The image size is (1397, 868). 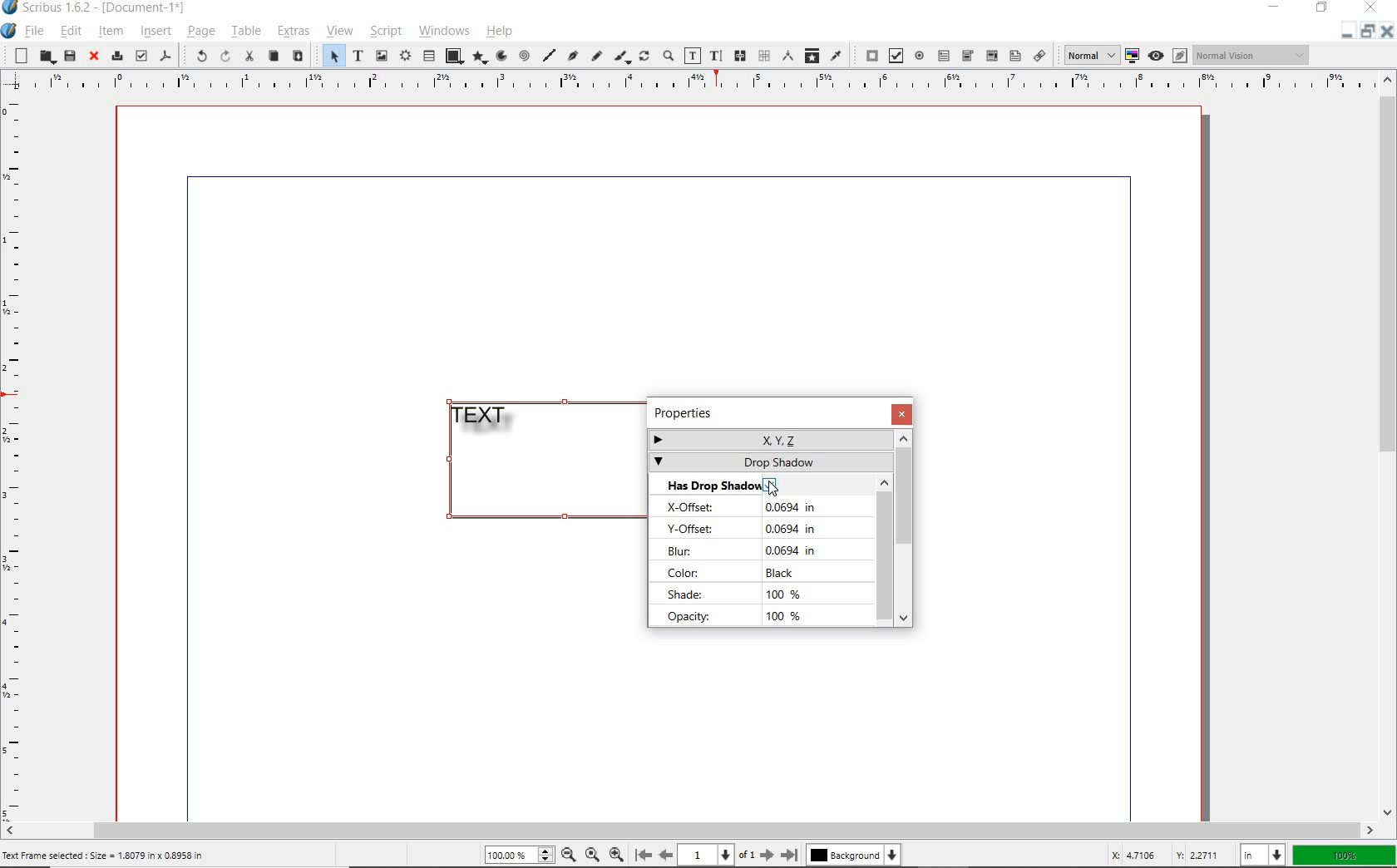 What do you see at coordinates (225, 56) in the screenshot?
I see `redo` at bounding box center [225, 56].